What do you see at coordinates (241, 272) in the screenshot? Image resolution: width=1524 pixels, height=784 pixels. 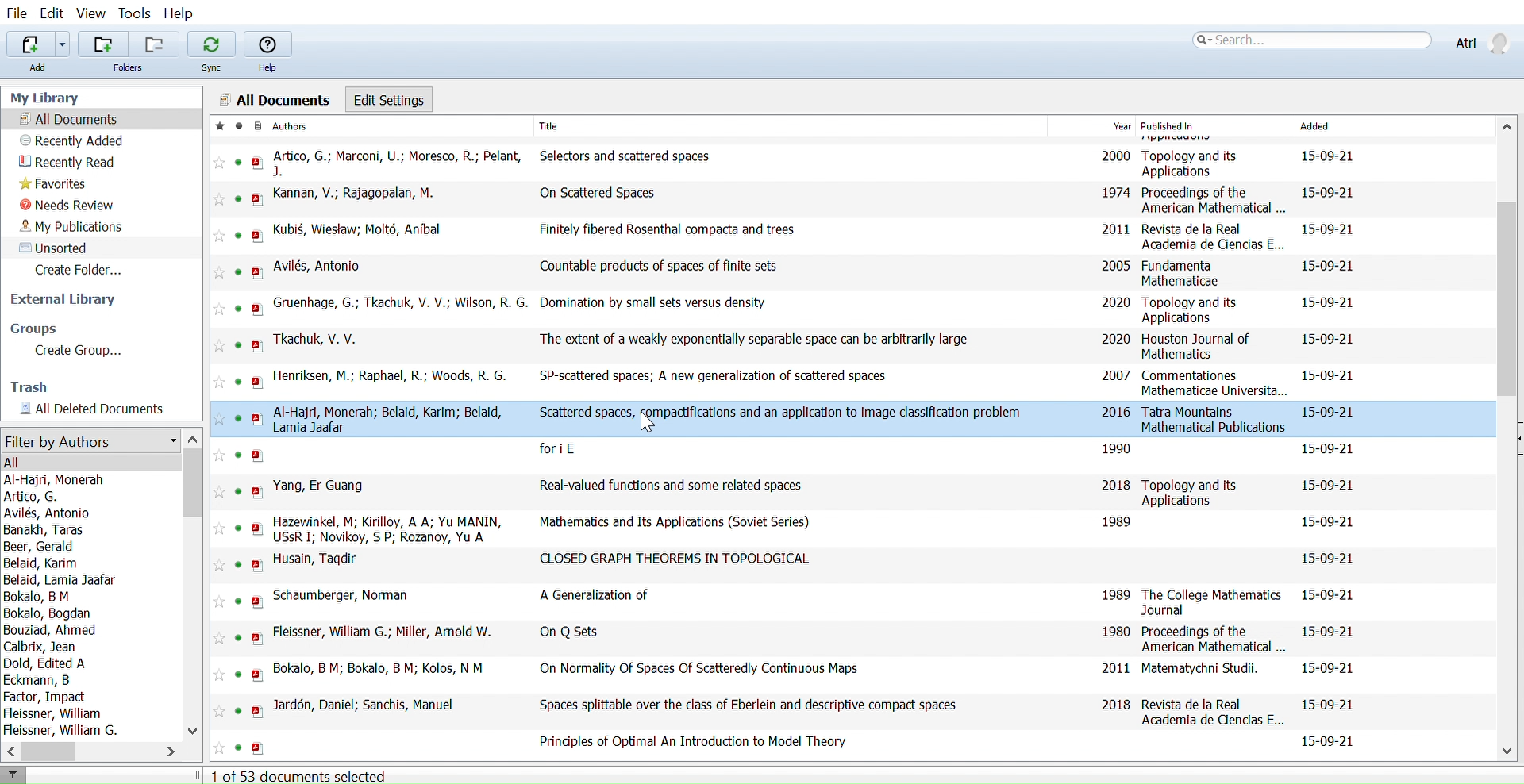 I see `reading status` at bounding box center [241, 272].